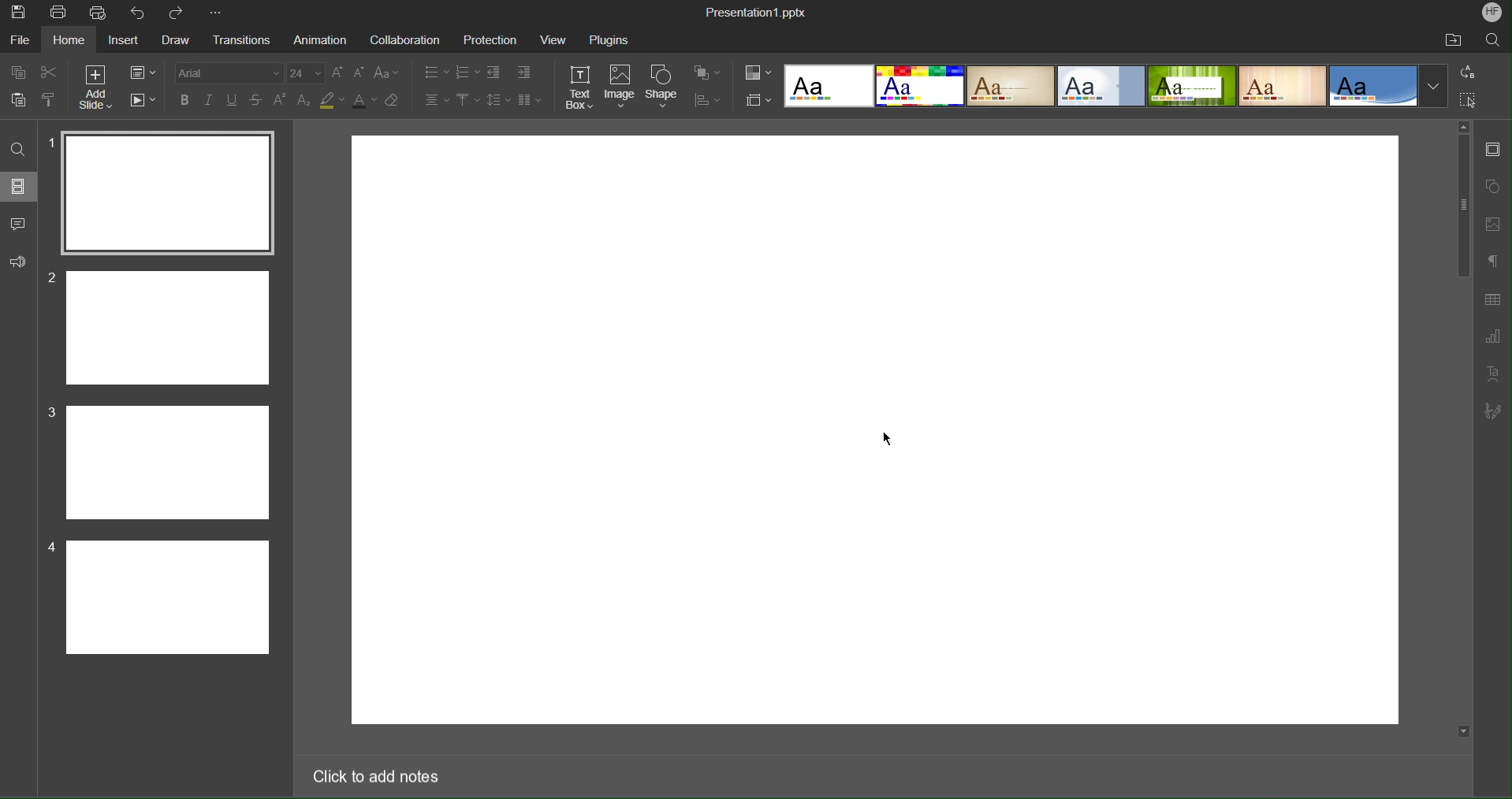 The image size is (1512, 799). What do you see at coordinates (175, 41) in the screenshot?
I see `Draw` at bounding box center [175, 41].